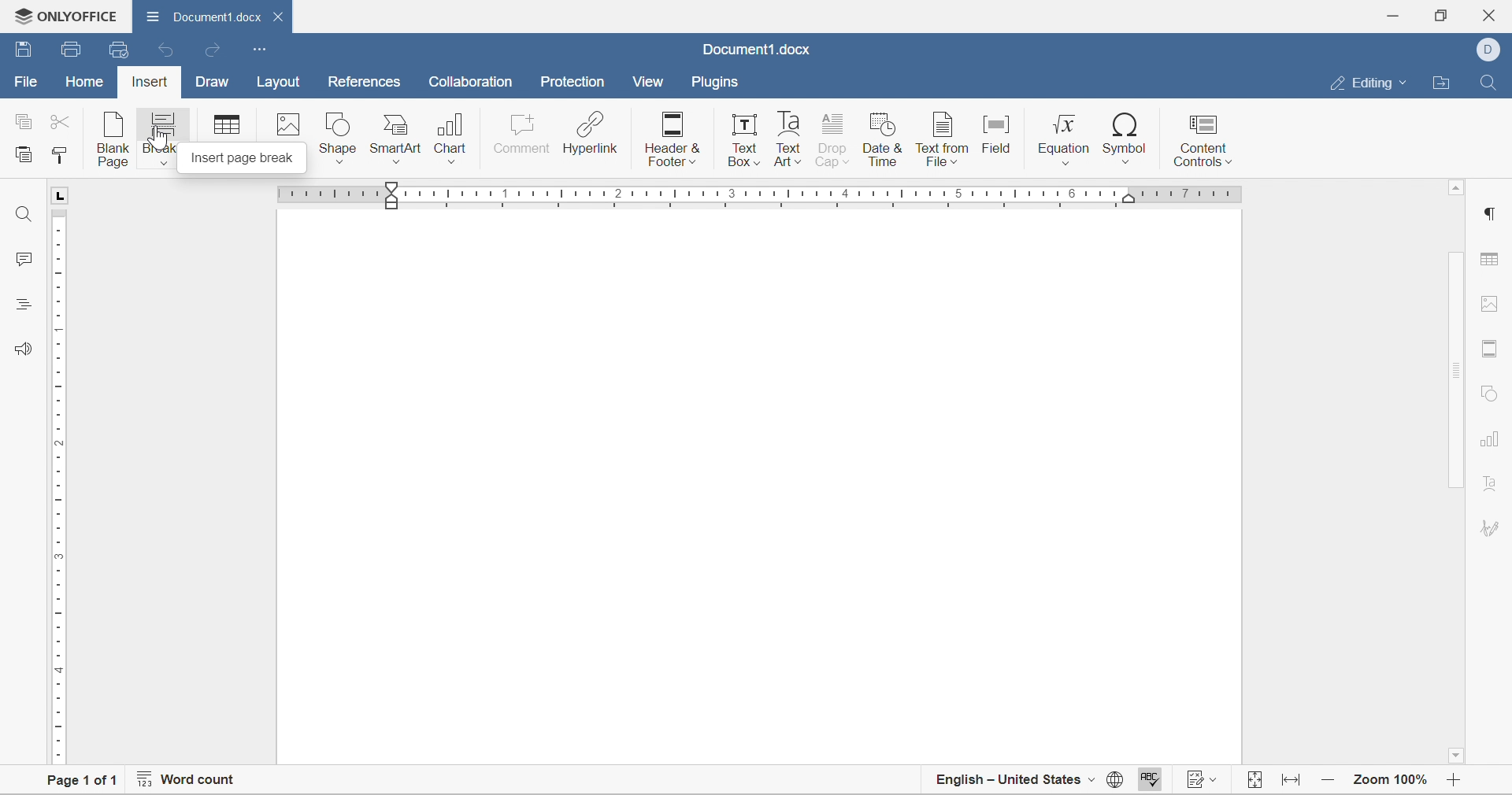 Image resolution: width=1512 pixels, height=795 pixels. What do you see at coordinates (117, 47) in the screenshot?
I see `Quick print` at bounding box center [117, 47].